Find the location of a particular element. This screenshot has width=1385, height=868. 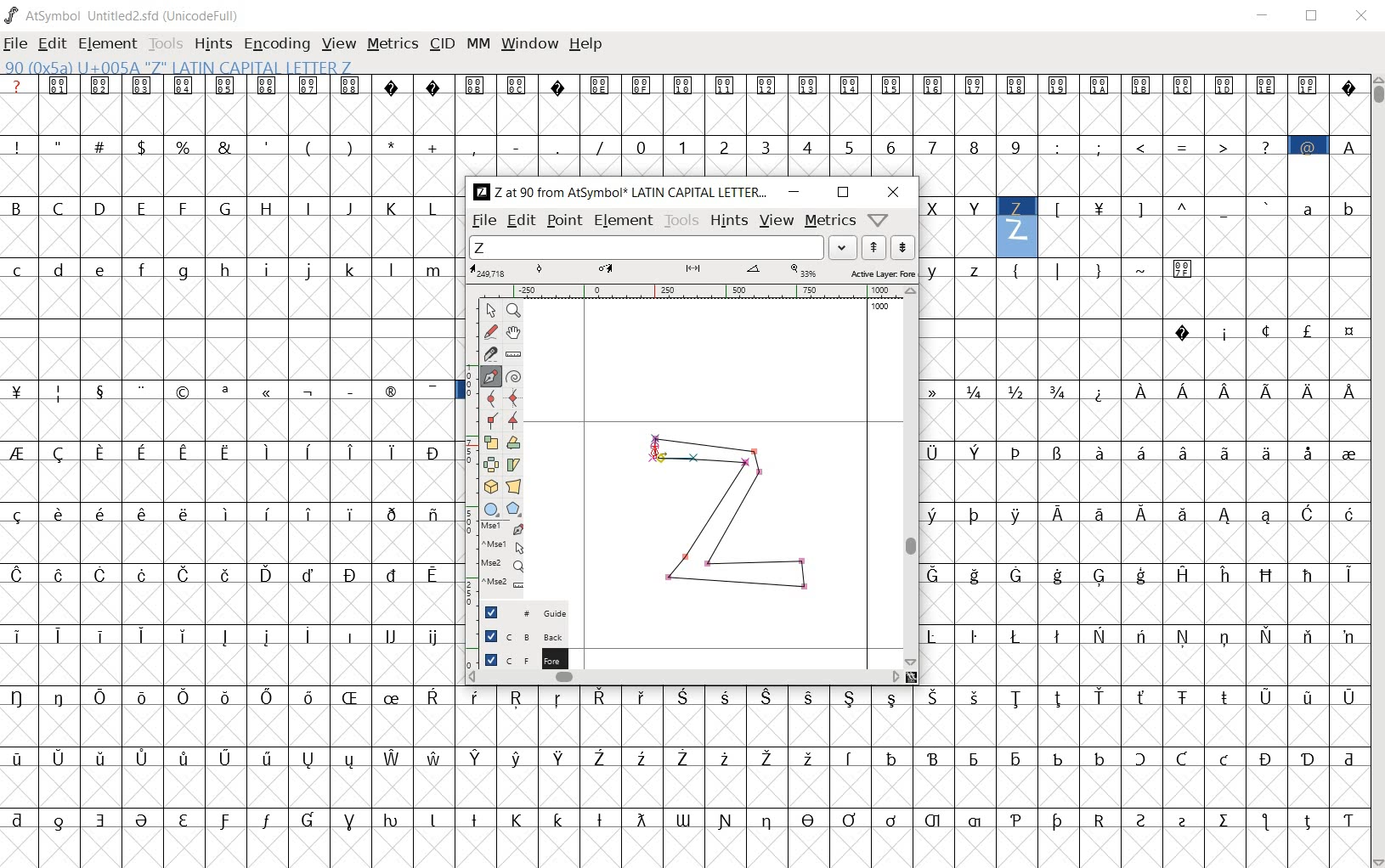

hints is located at coordinates (213, 45).